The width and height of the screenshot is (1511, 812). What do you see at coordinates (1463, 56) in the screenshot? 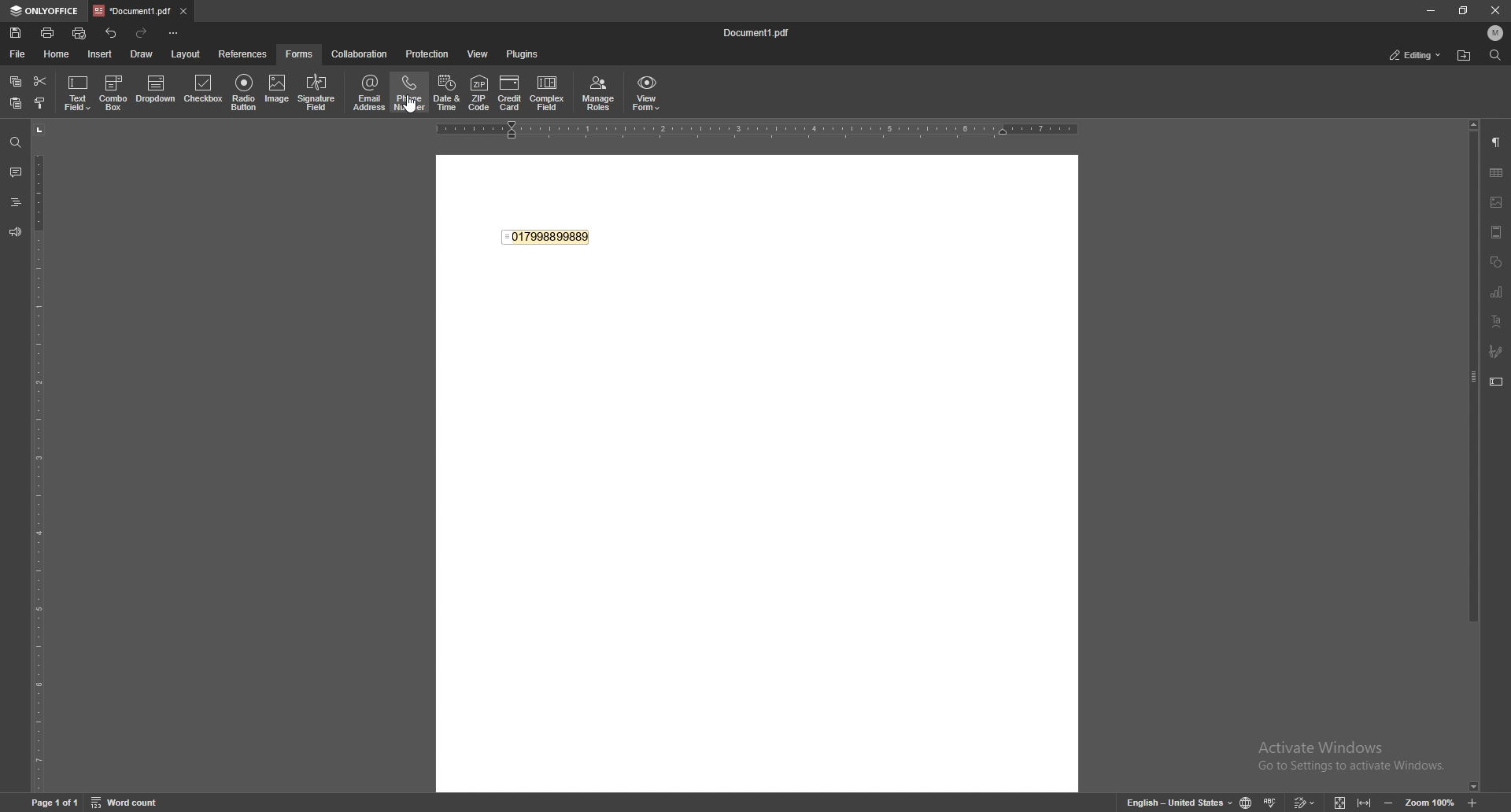
I see `locate file` at bounding box center [1463, 56].